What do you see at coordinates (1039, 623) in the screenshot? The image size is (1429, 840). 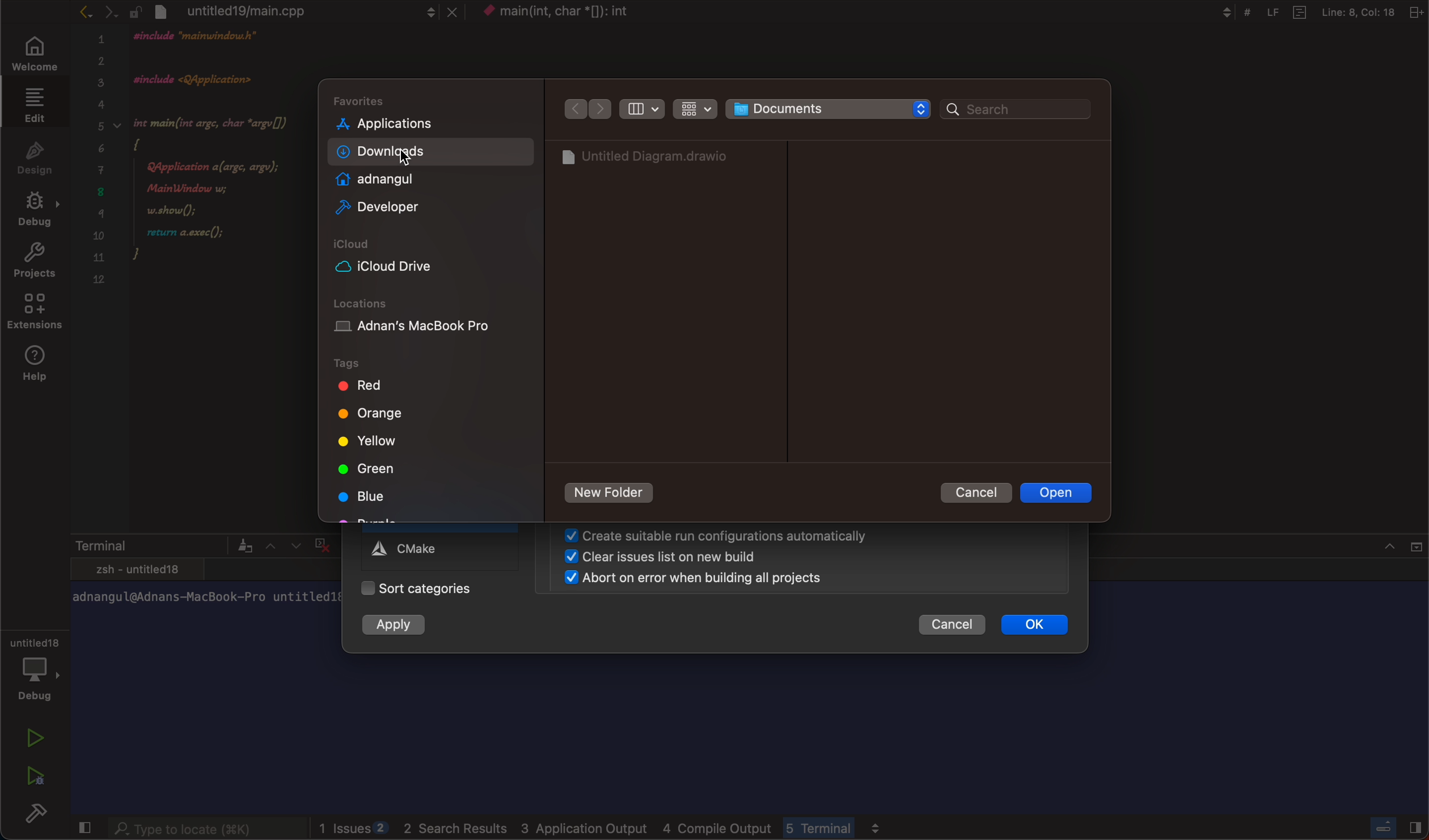 I see `ok` at bounding box center [1039, 623].